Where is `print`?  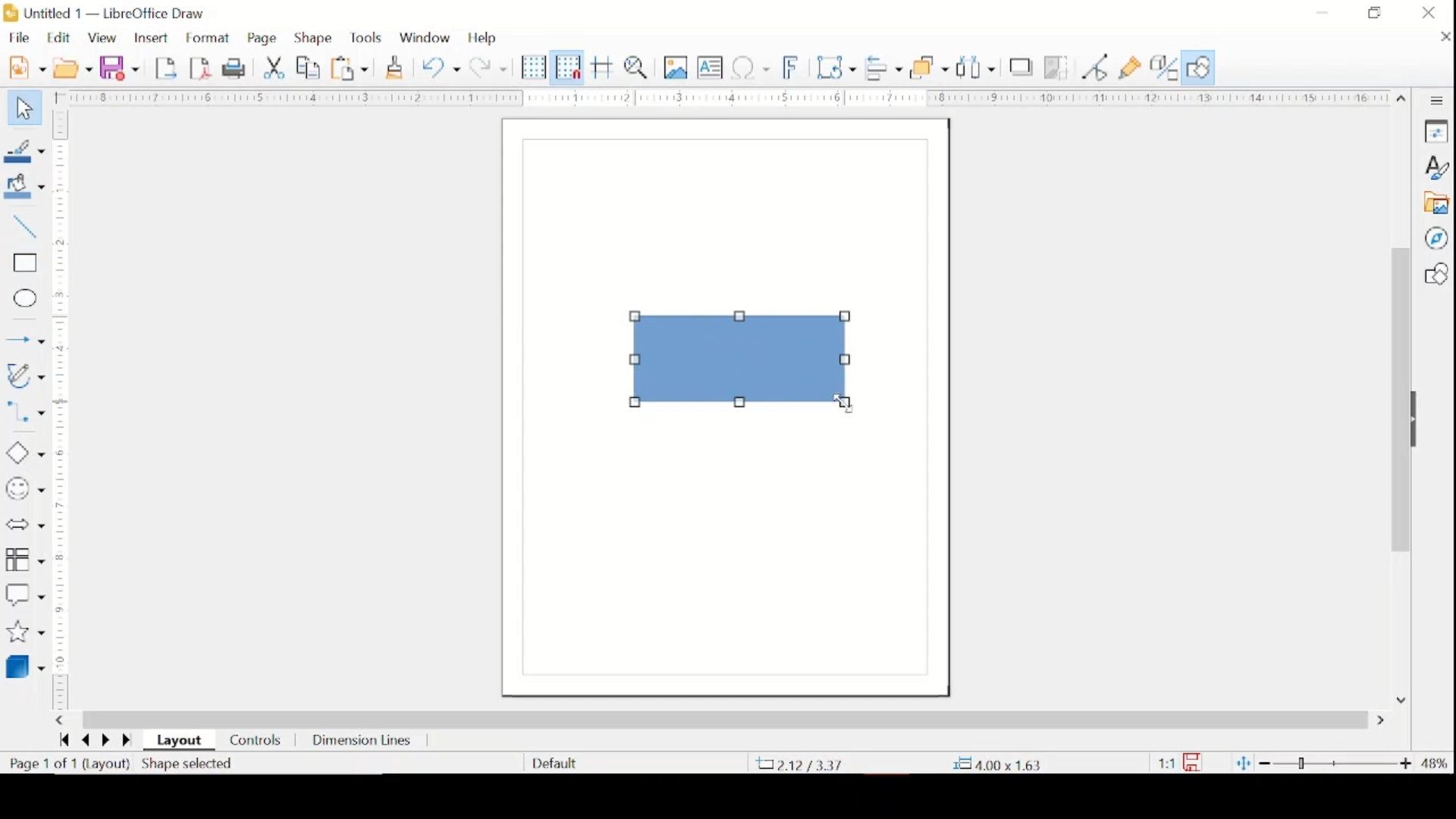 print is located at coordinates (237, 67).